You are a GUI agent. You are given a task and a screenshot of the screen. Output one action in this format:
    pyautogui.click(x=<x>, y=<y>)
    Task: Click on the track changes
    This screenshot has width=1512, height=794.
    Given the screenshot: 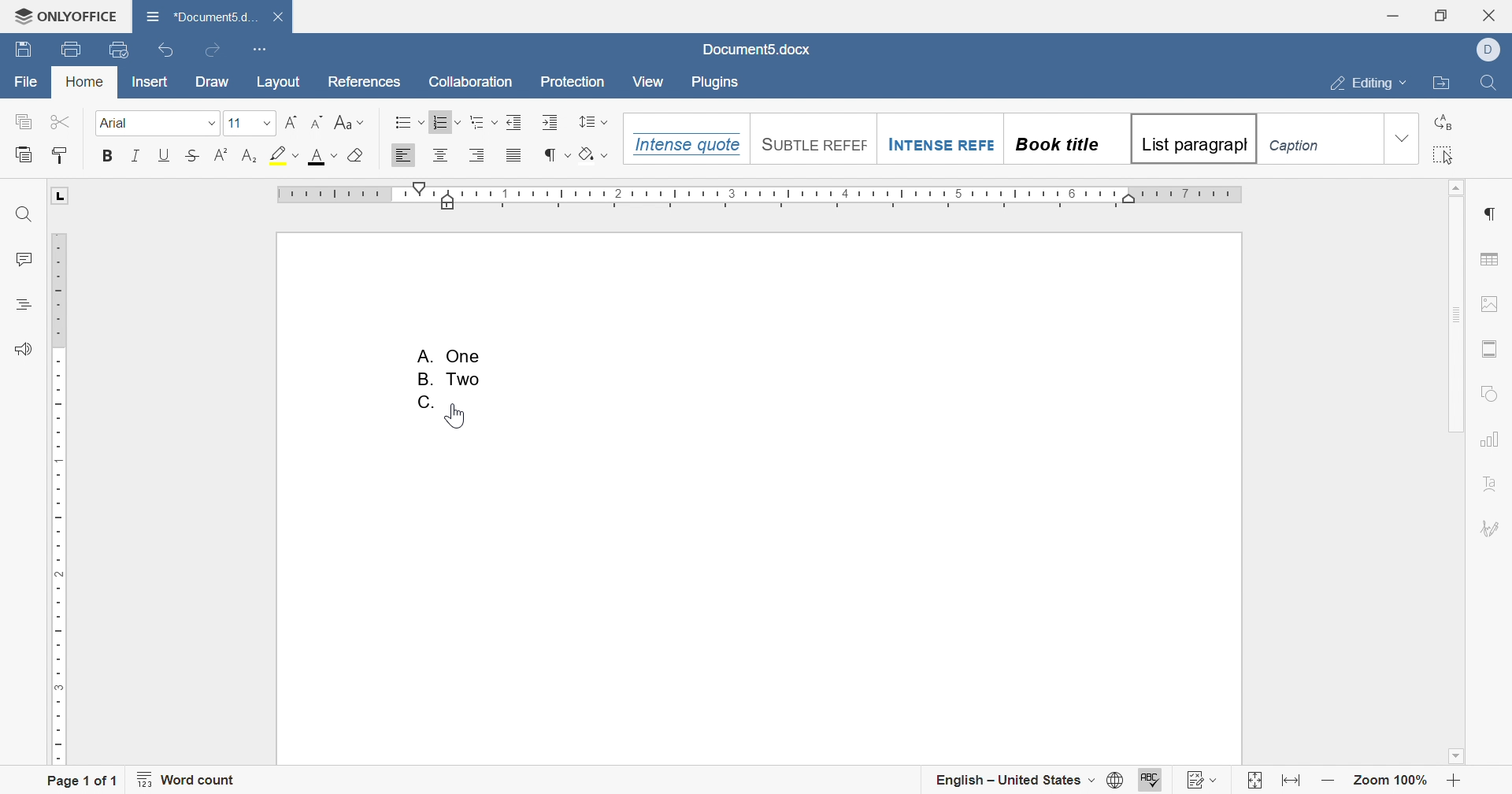 What is the action you would take?
    pyautogui.click(x=1201, y=780)
    